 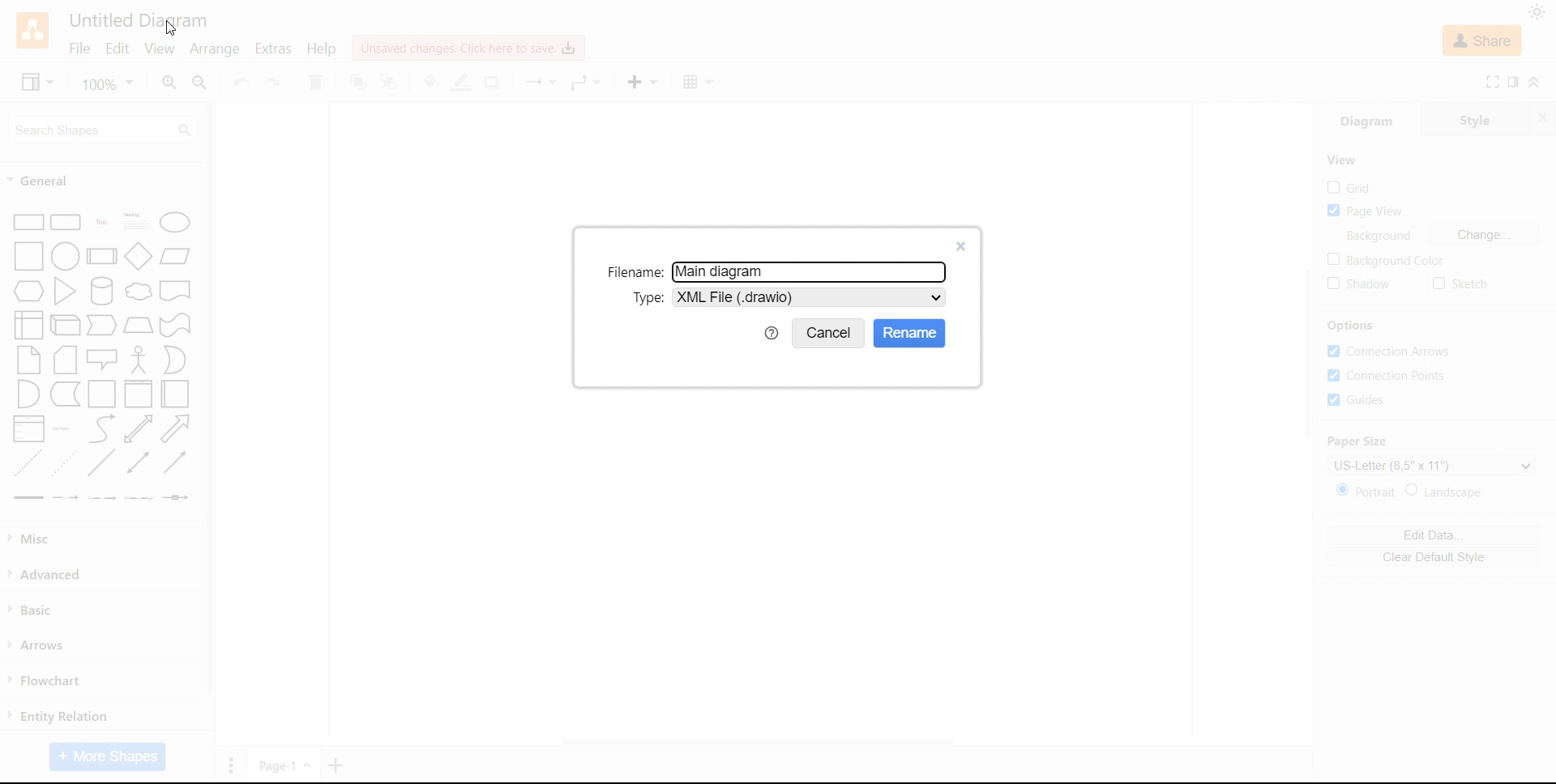 What do you see at coordinates (1515, 82) in the screenshot?
I see `Format ` at bounding box center [1515, 82].